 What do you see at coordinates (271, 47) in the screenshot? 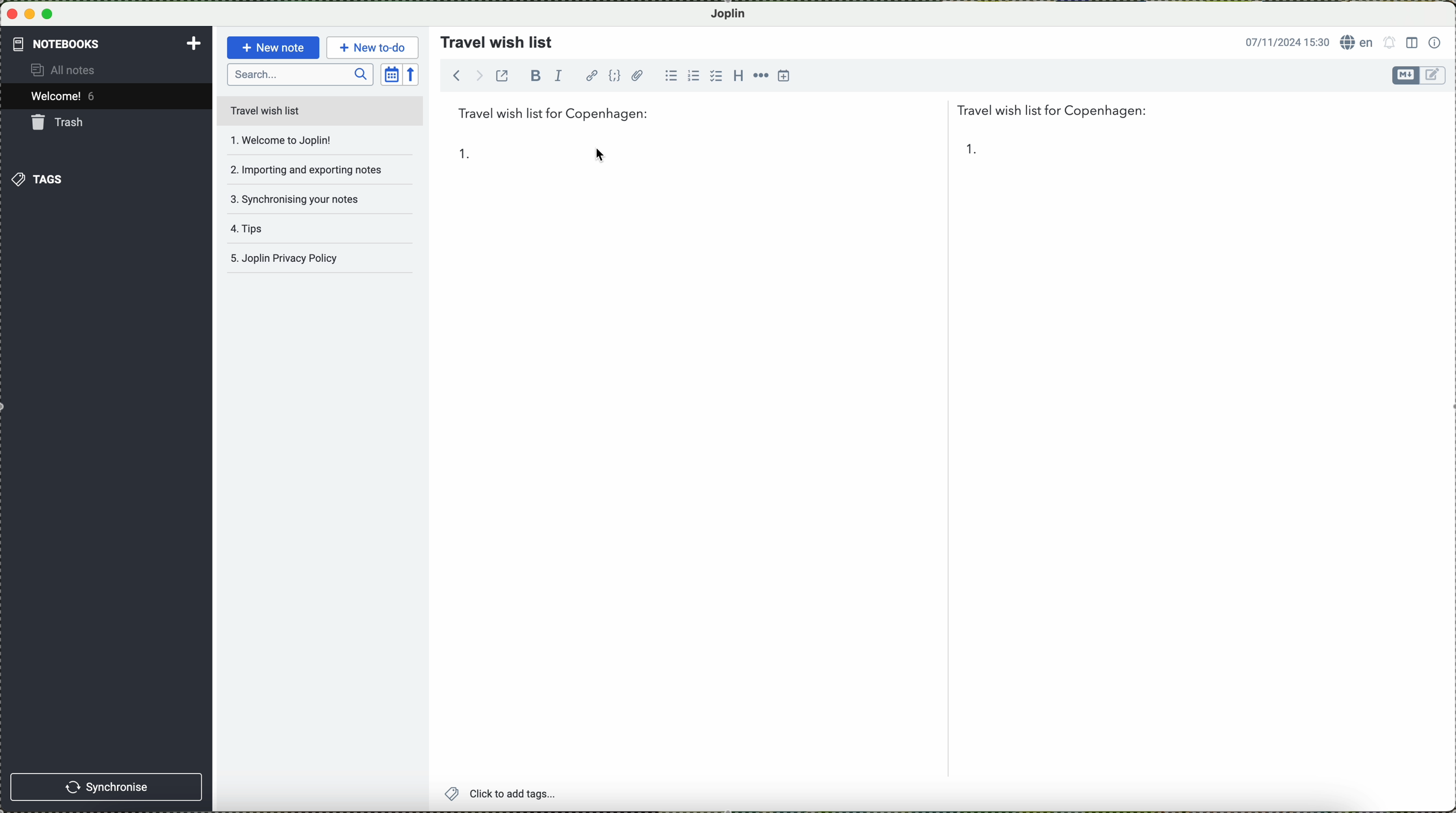
I see `new note button` at bounding box center [271, 47].